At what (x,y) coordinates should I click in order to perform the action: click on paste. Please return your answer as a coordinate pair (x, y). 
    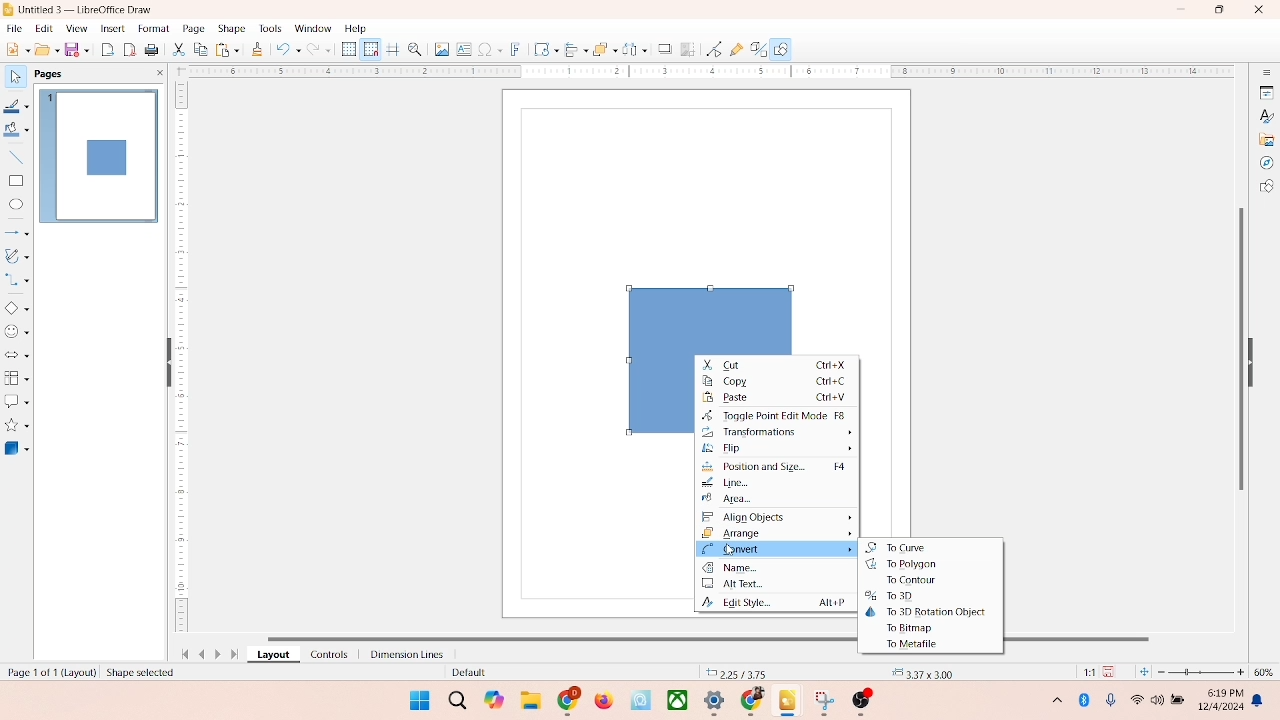
    Looking at the image, I should click on (779, 398).